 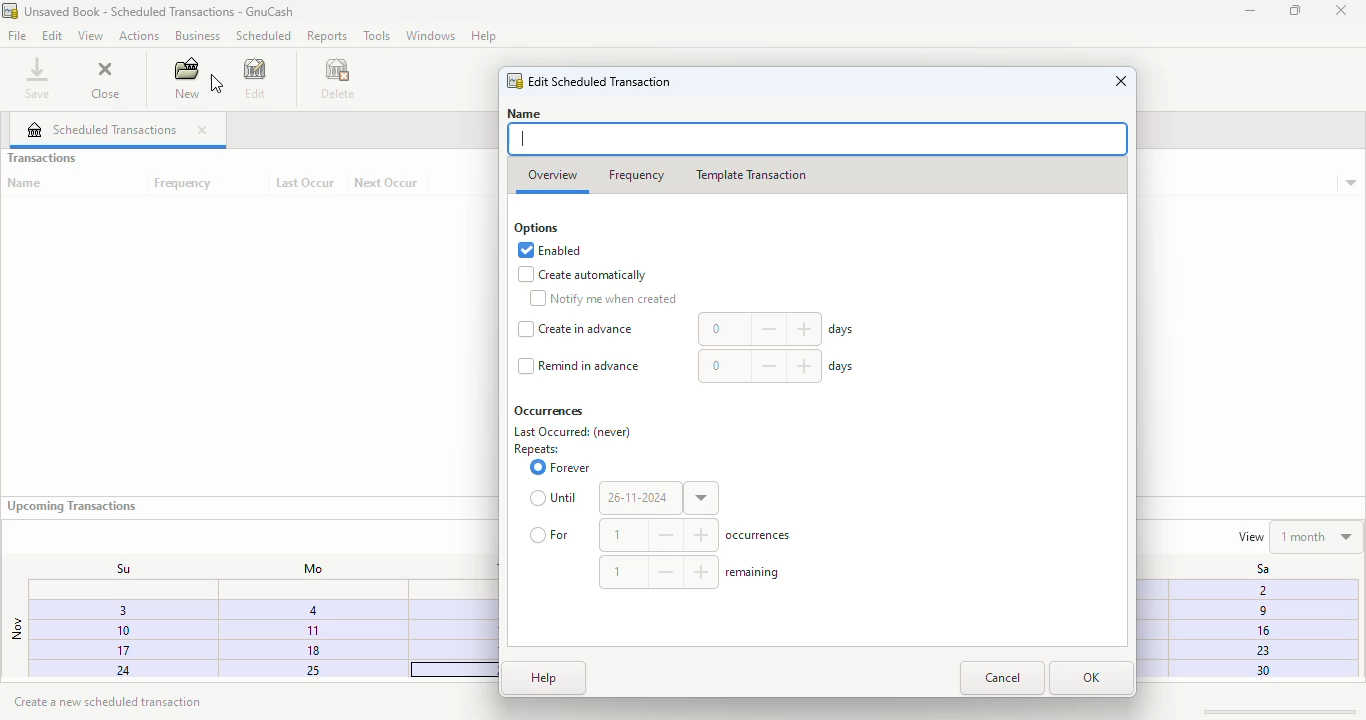 What do you see at coordinates (750, 175) in the screenshot?
I see `template transaction` at bounding box center [750, 175].